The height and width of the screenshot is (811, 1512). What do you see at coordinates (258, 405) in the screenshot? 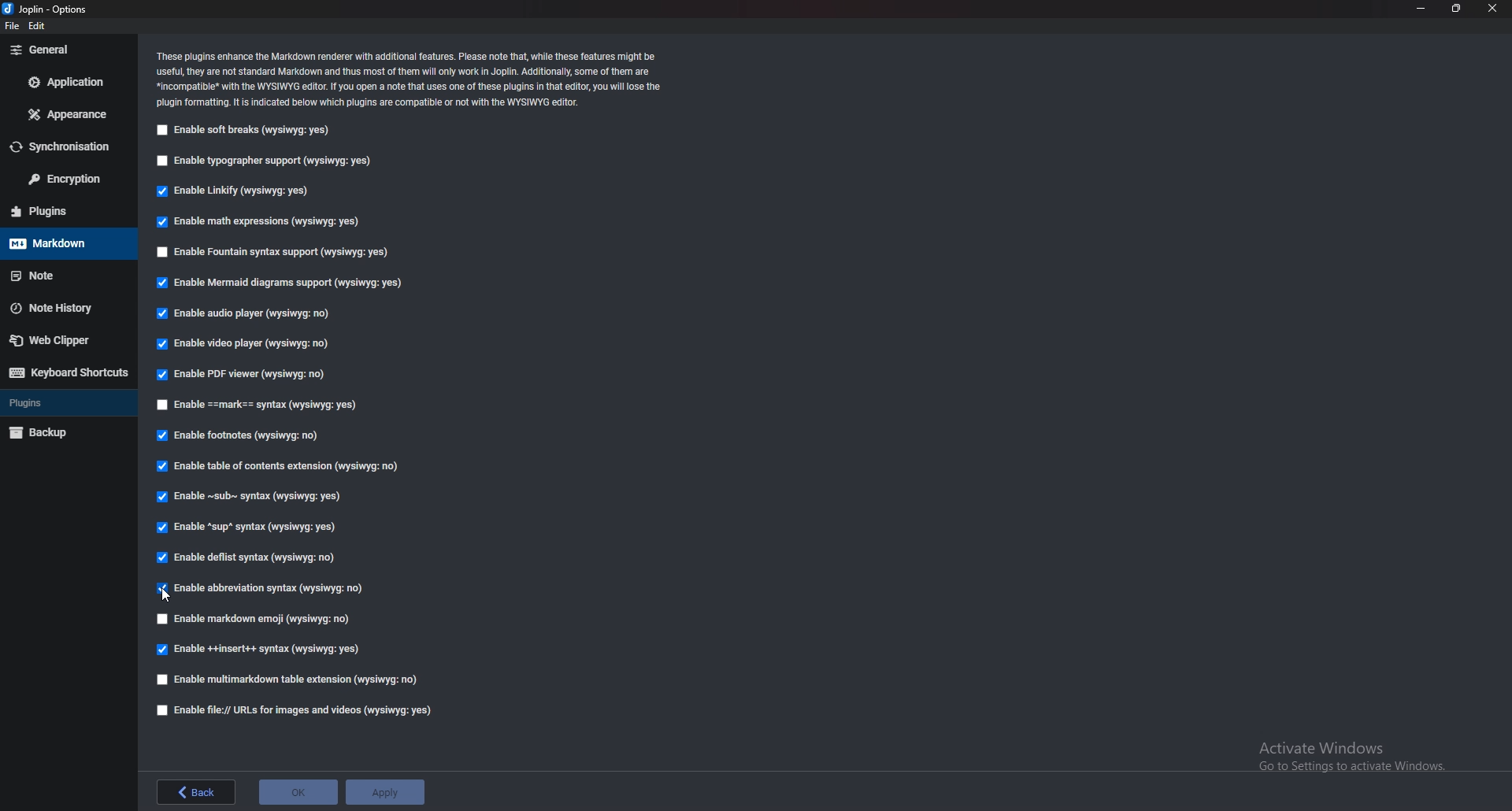
I see `Enable Mark Syntax` at bounding box center [258, 405].